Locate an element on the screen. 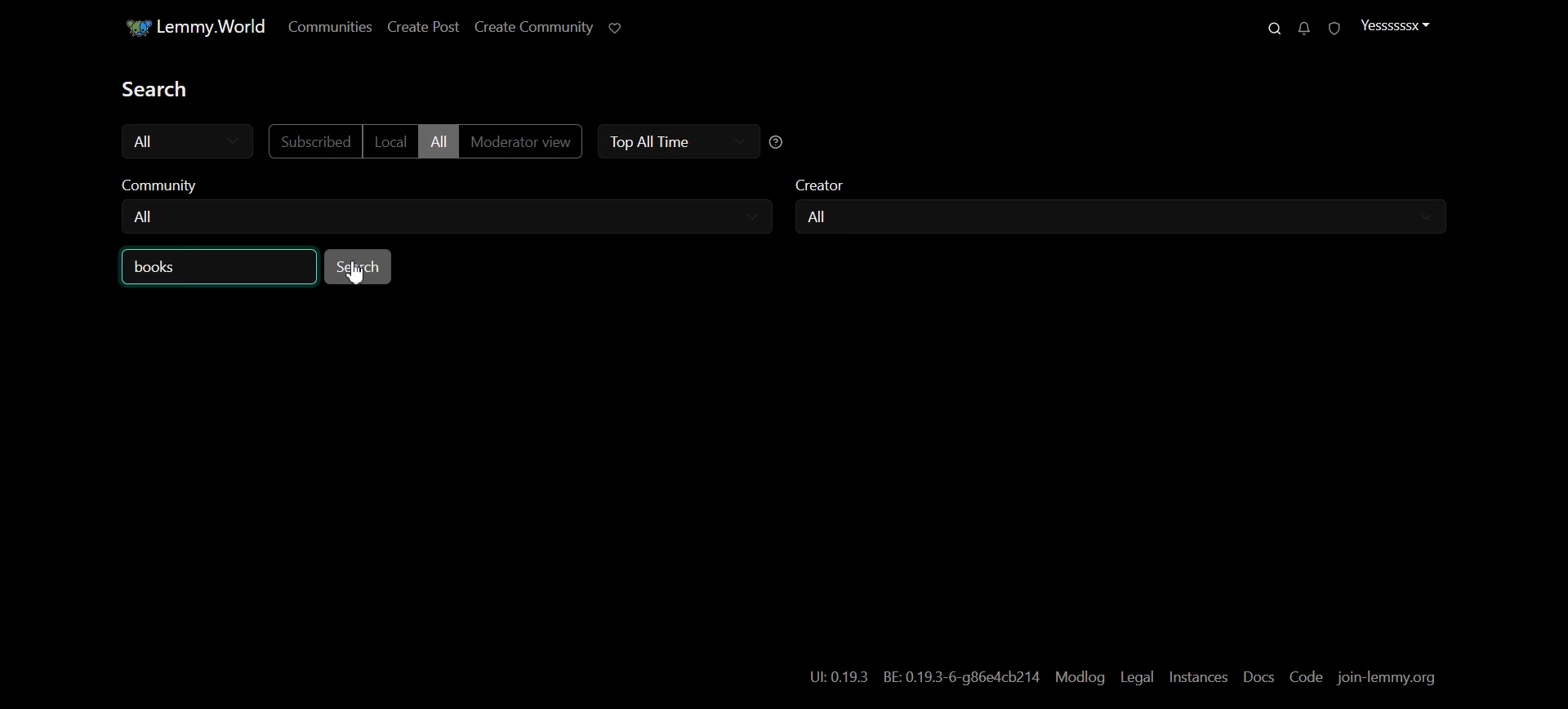  Code is located at coordinates (1304, 677).